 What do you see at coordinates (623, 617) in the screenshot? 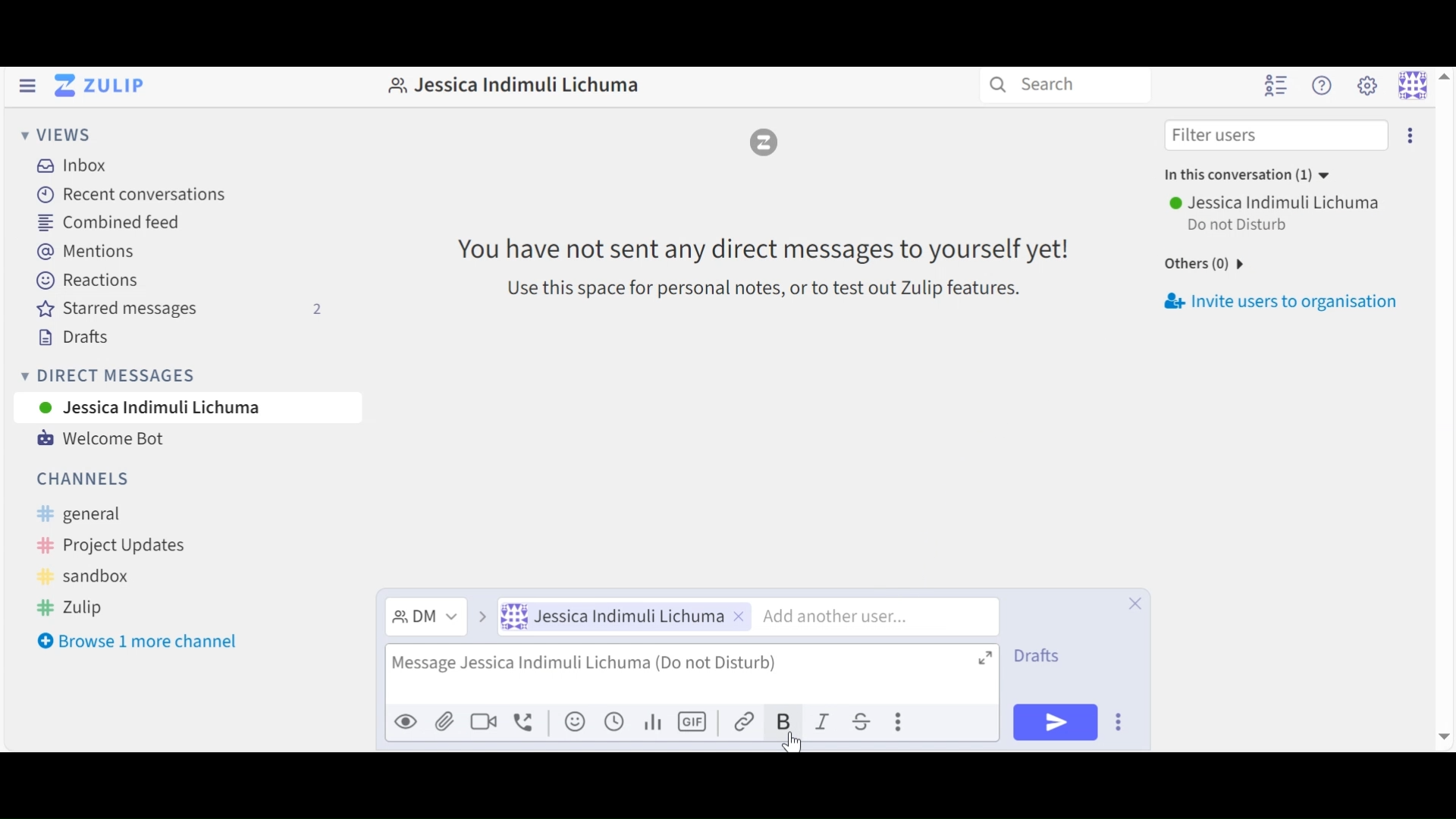
I see `User` at bounding box center [623, 617].